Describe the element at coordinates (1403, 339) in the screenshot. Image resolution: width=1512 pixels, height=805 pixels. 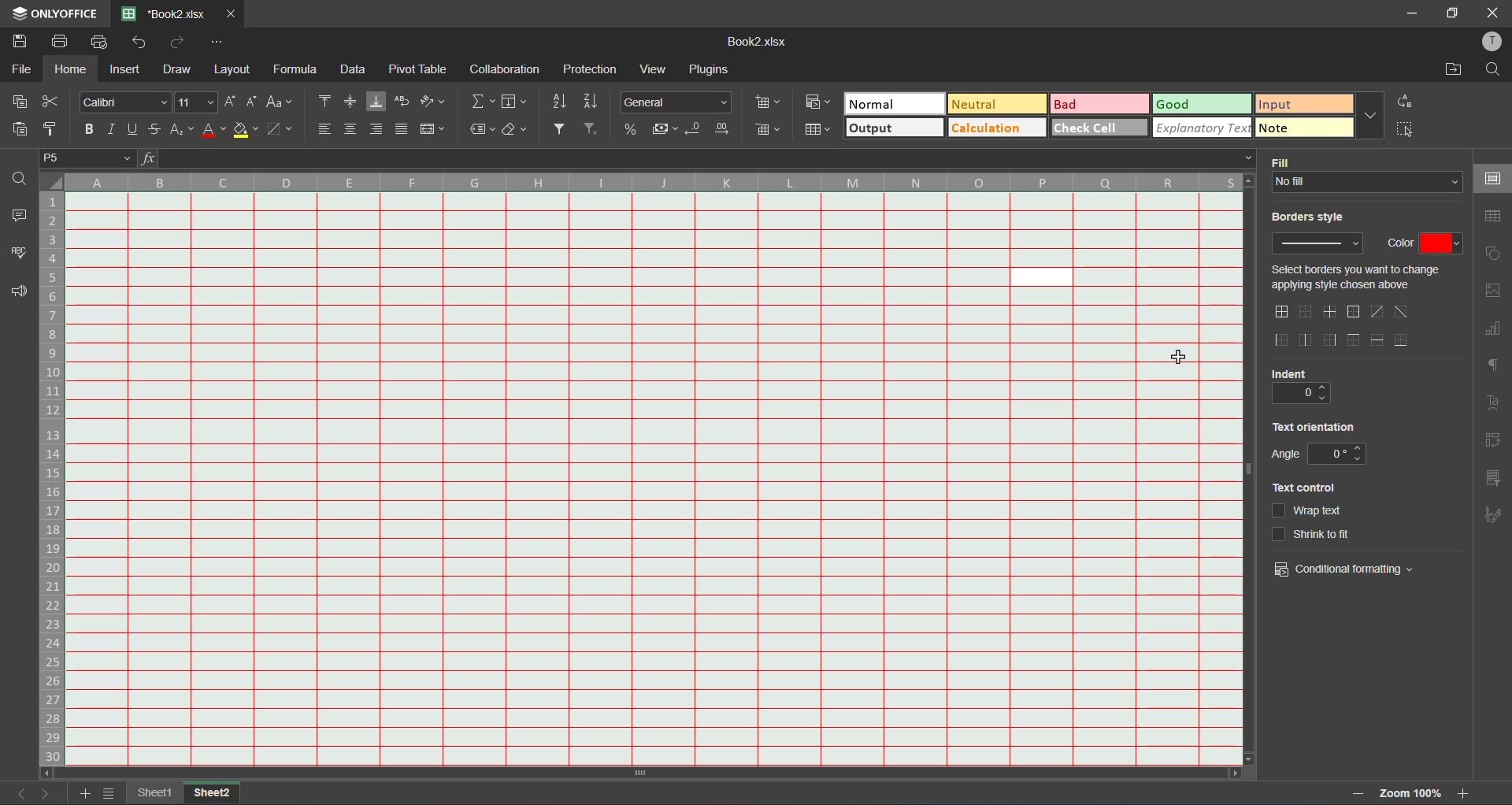
I see `outer bottom line only` at that location.